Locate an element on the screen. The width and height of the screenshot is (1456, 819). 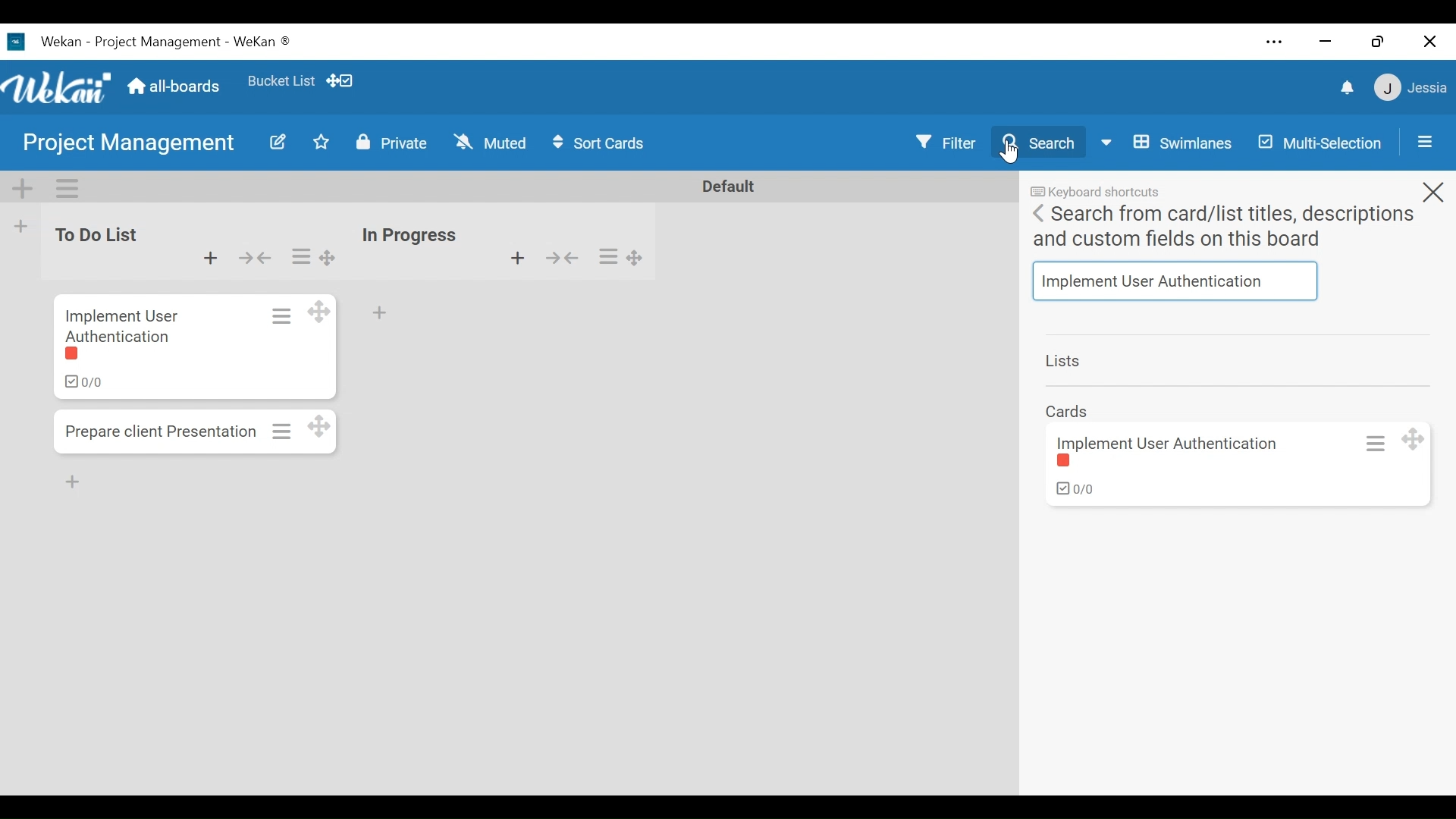
Filter is located at coordinates (944, 141).